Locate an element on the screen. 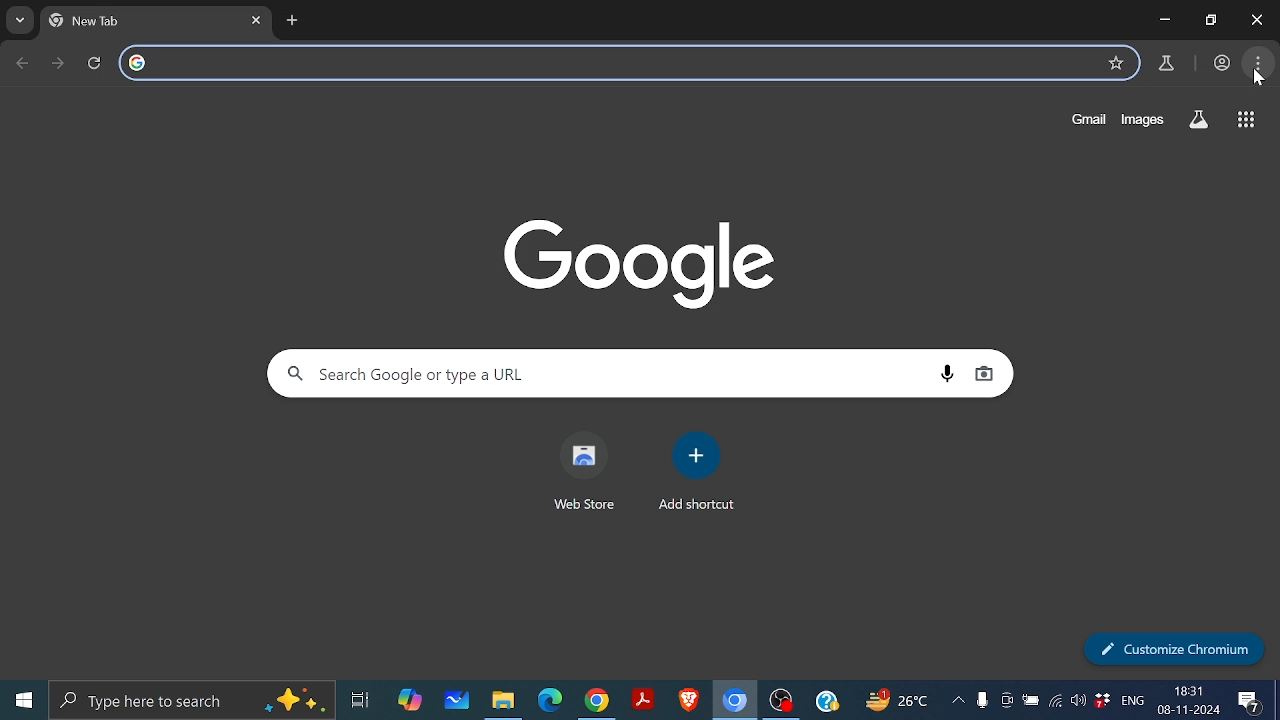 The height and width of the screenshot is (720, 1280). Mark as favorite is located at coordinates (1116, 63).